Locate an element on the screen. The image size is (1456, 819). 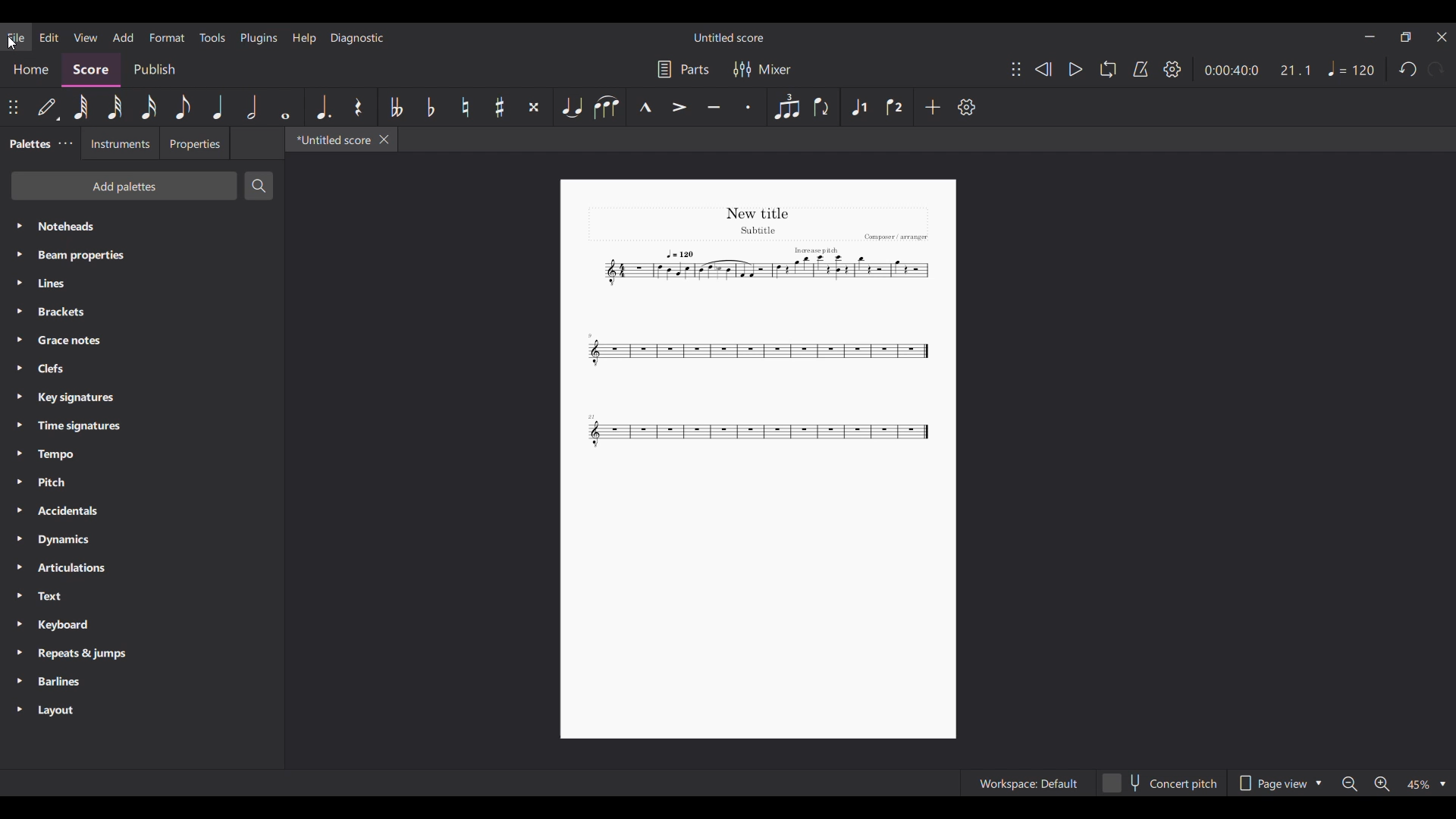
Cursor is located at coordinates (12, 42).